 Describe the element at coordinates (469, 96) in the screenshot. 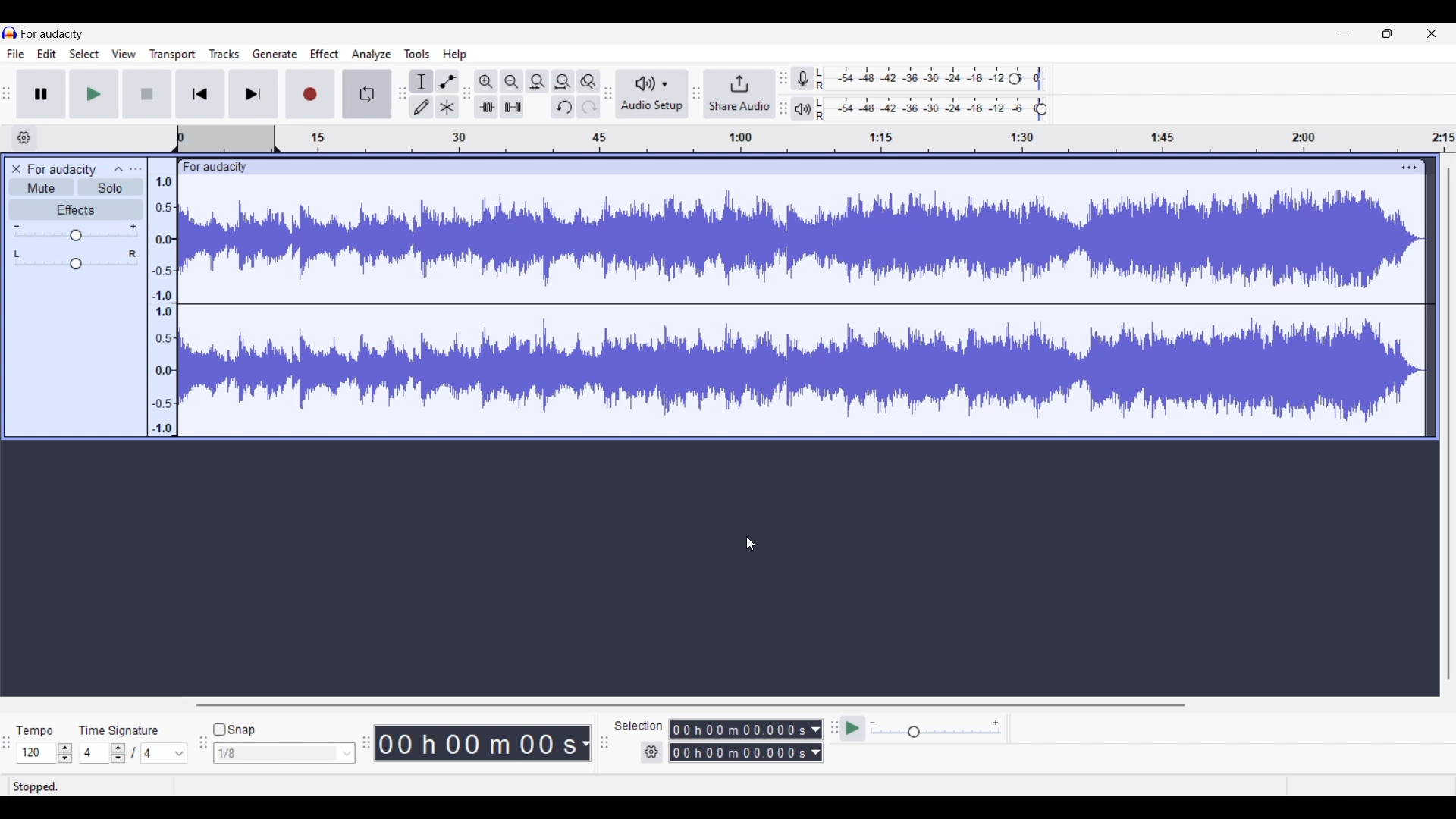

I see `edit tool bar` at that location.